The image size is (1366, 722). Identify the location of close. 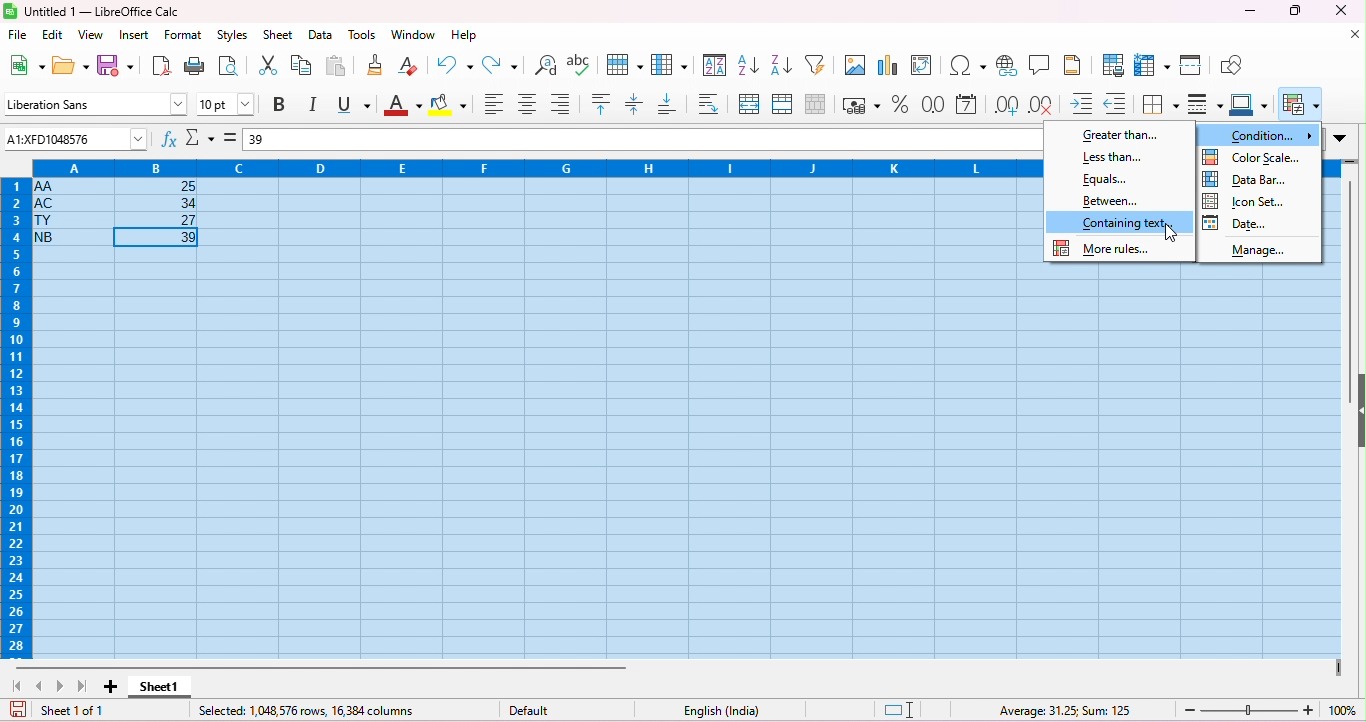
(1354, 35).